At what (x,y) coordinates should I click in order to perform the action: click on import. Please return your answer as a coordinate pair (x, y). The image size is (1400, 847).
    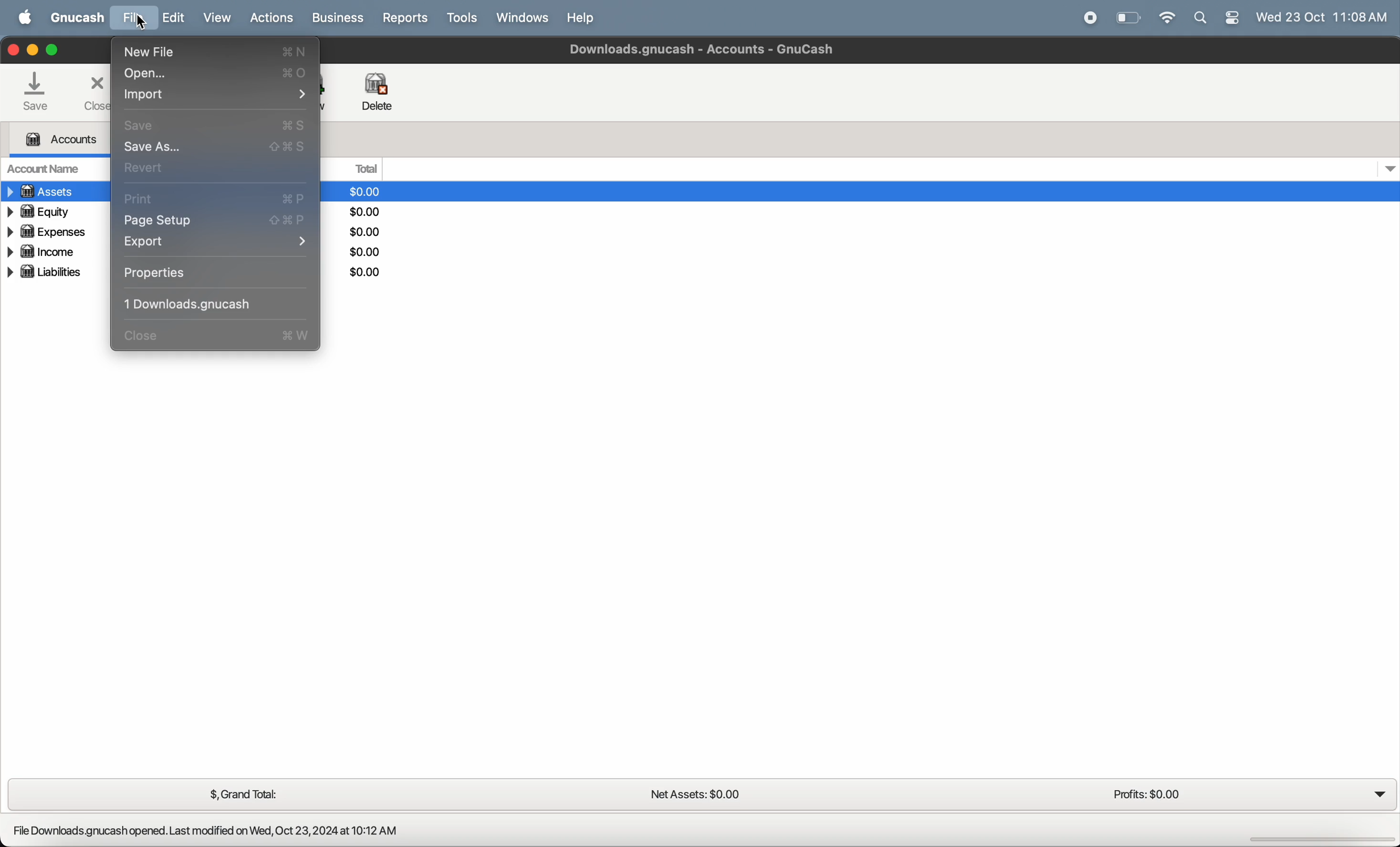
    Looking at the image, I should click on (215, 96).